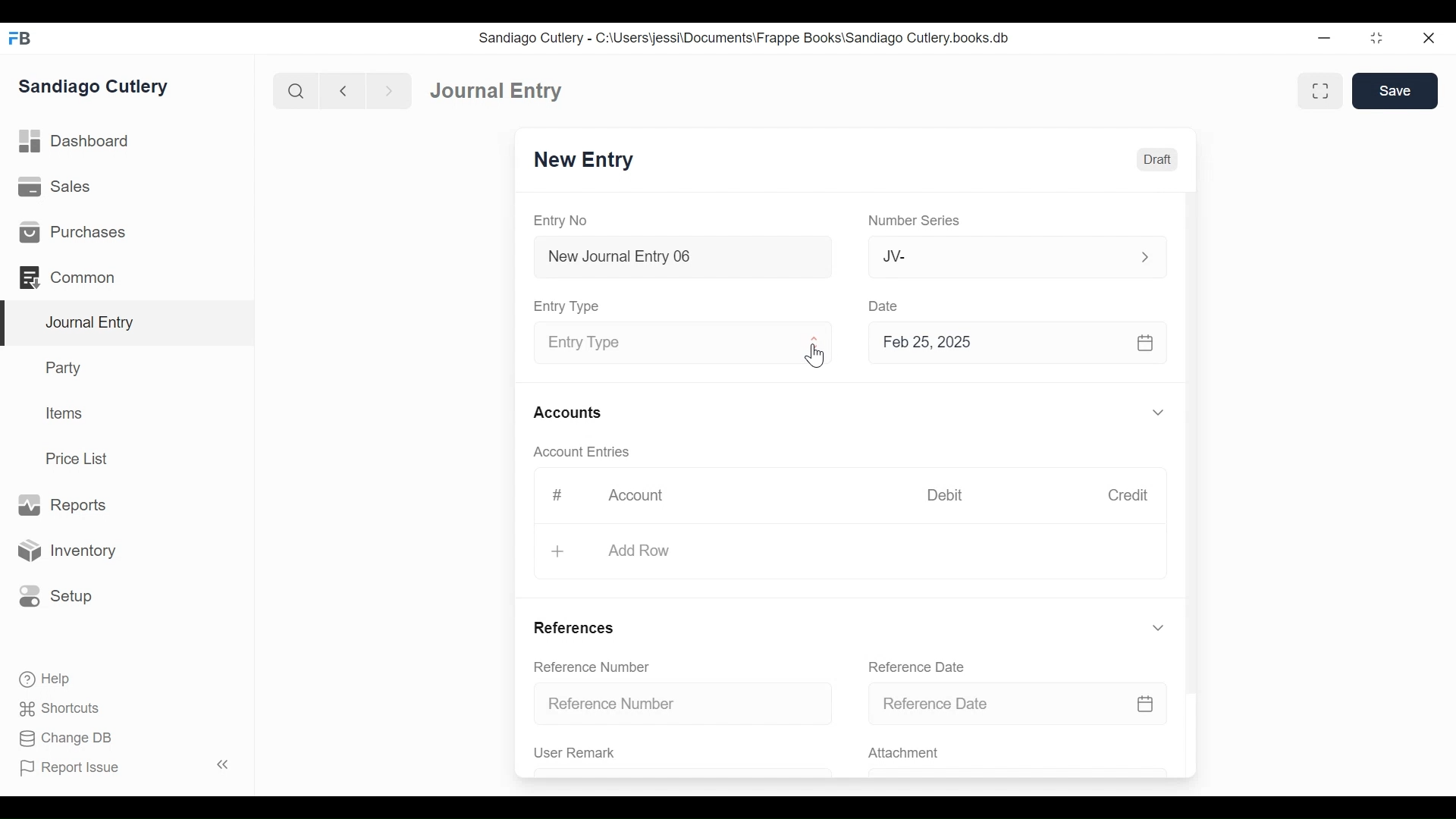  What do you see at coordinates (646, 500) in the screenshot?
I see `Account` at bounding box center [646, 500].